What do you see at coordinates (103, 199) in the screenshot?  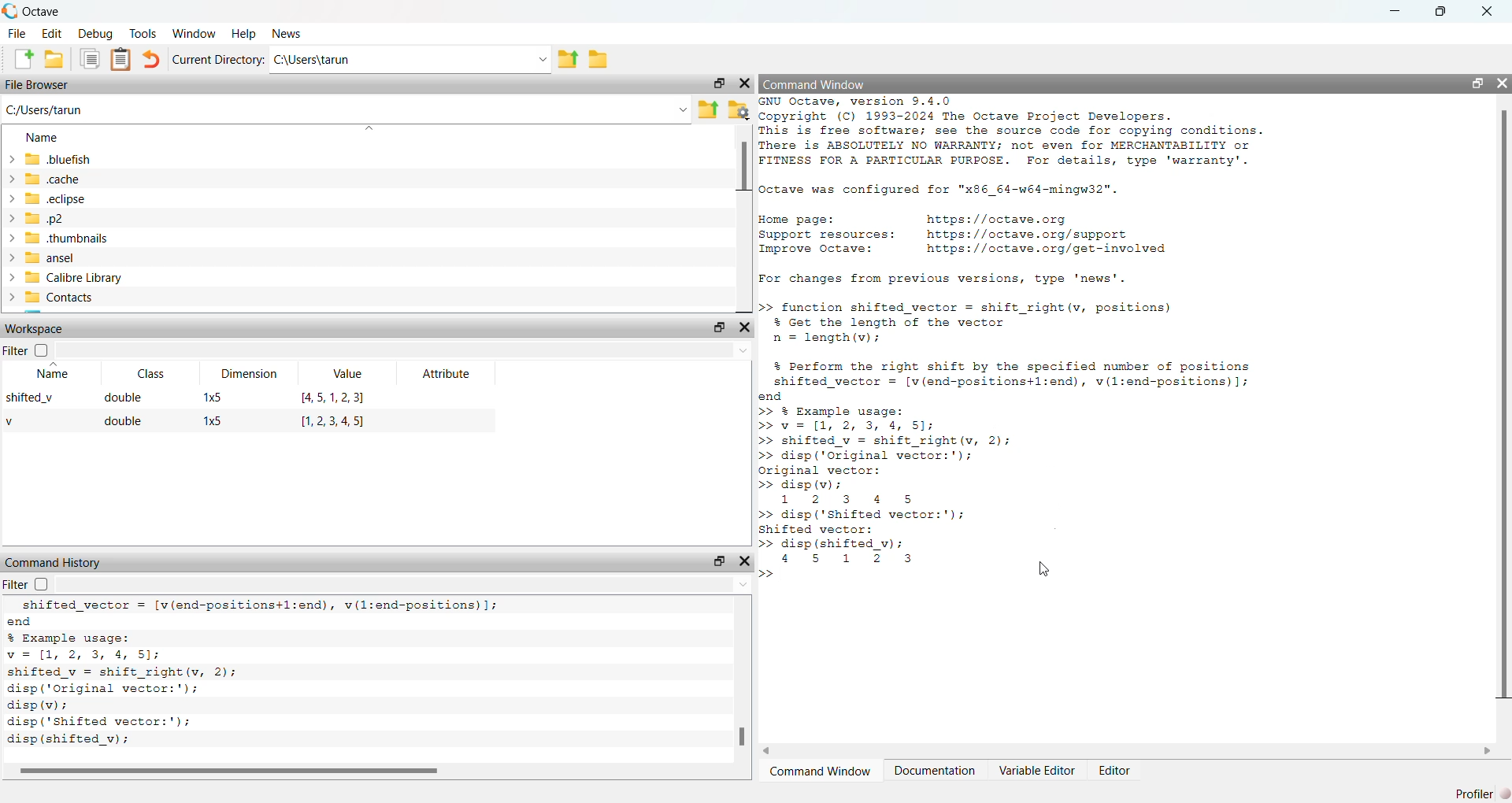 I see `.eclipse` at bounding box center [103, 199].